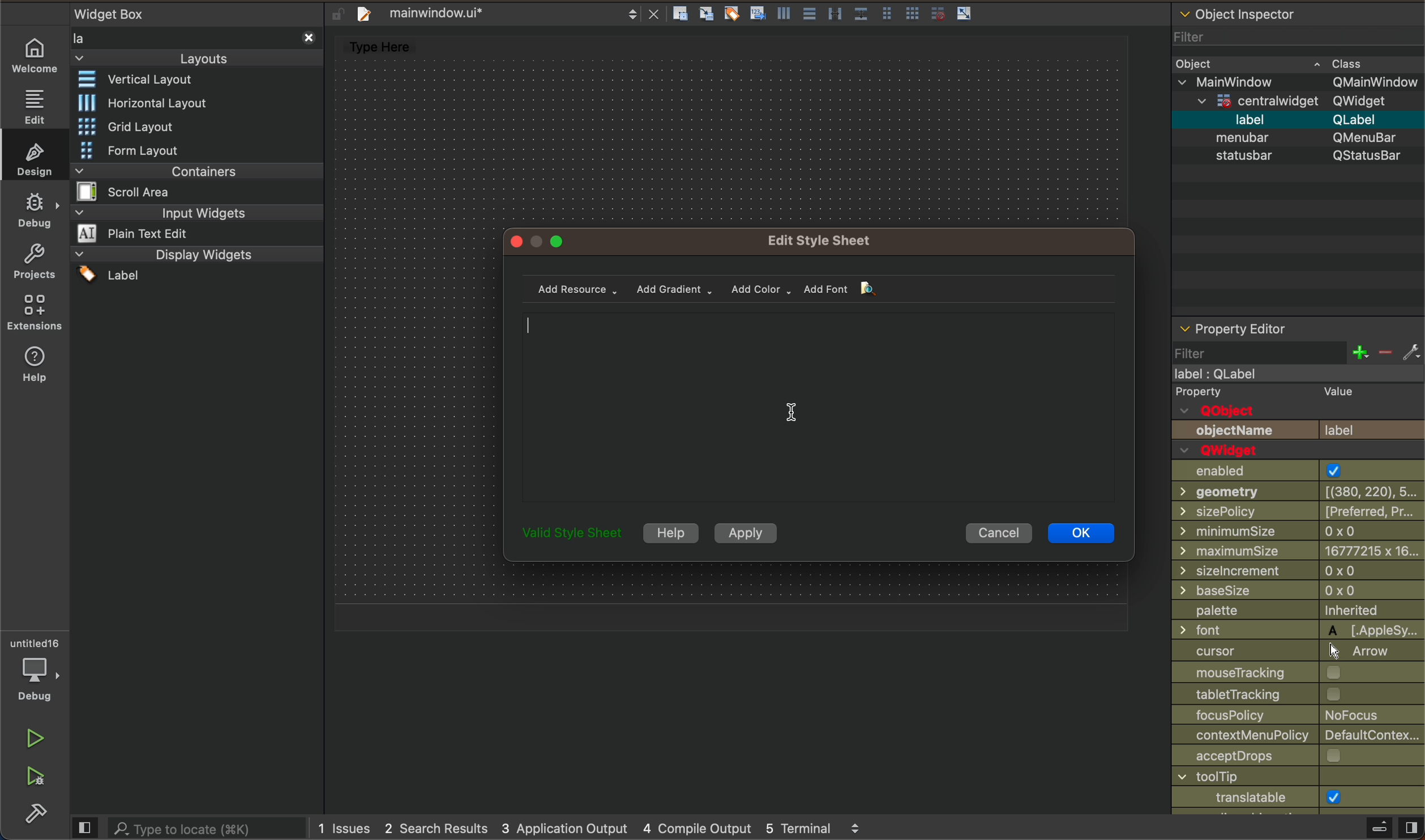  Describe the element at coordinates (32, 366) in the screenshot. I see `help` at that location.